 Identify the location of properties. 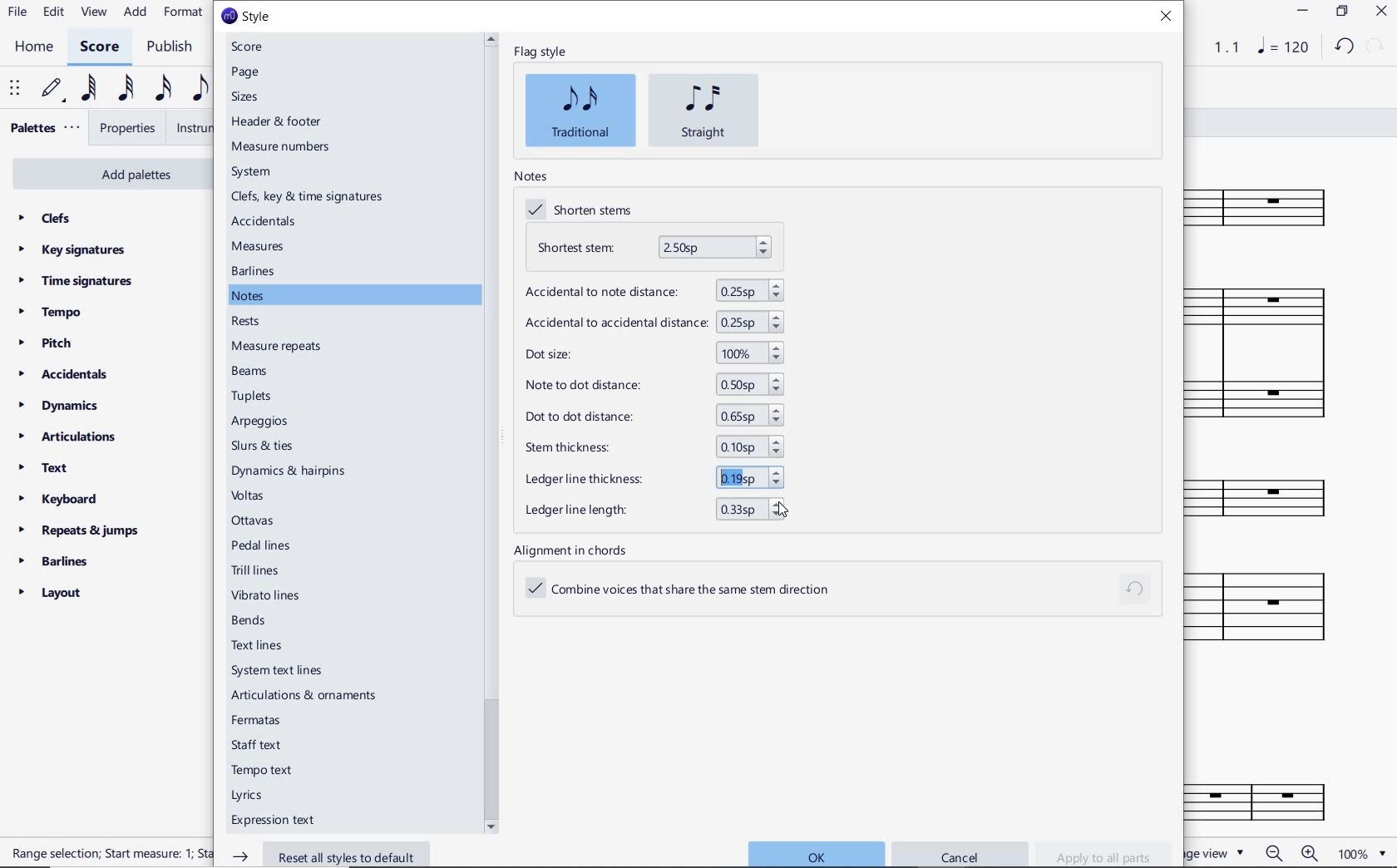
(129, 129).